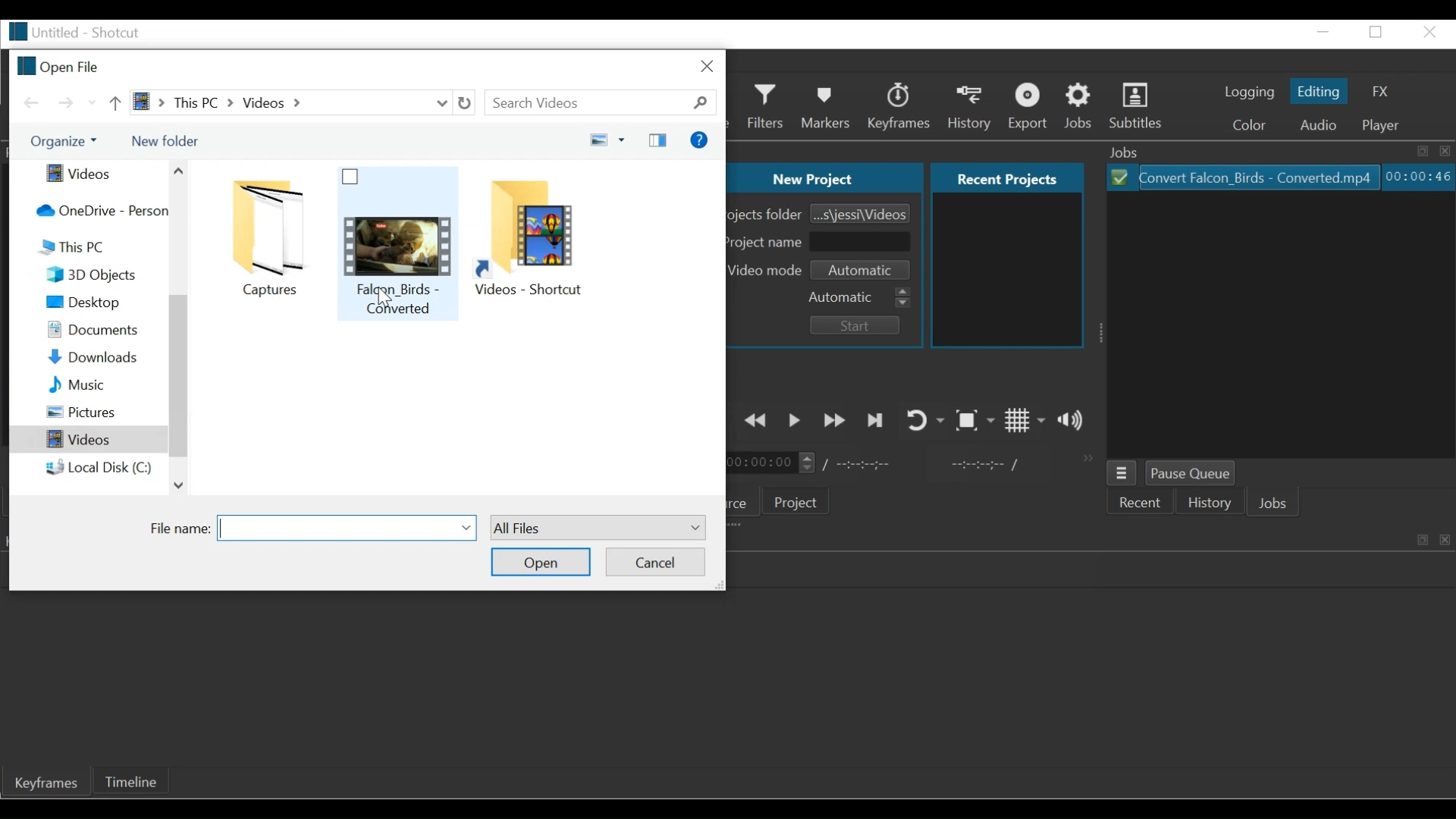 This screenshot has width=1456, height=819. I want to click on Vertical Scroll bar, so click(178, 377).